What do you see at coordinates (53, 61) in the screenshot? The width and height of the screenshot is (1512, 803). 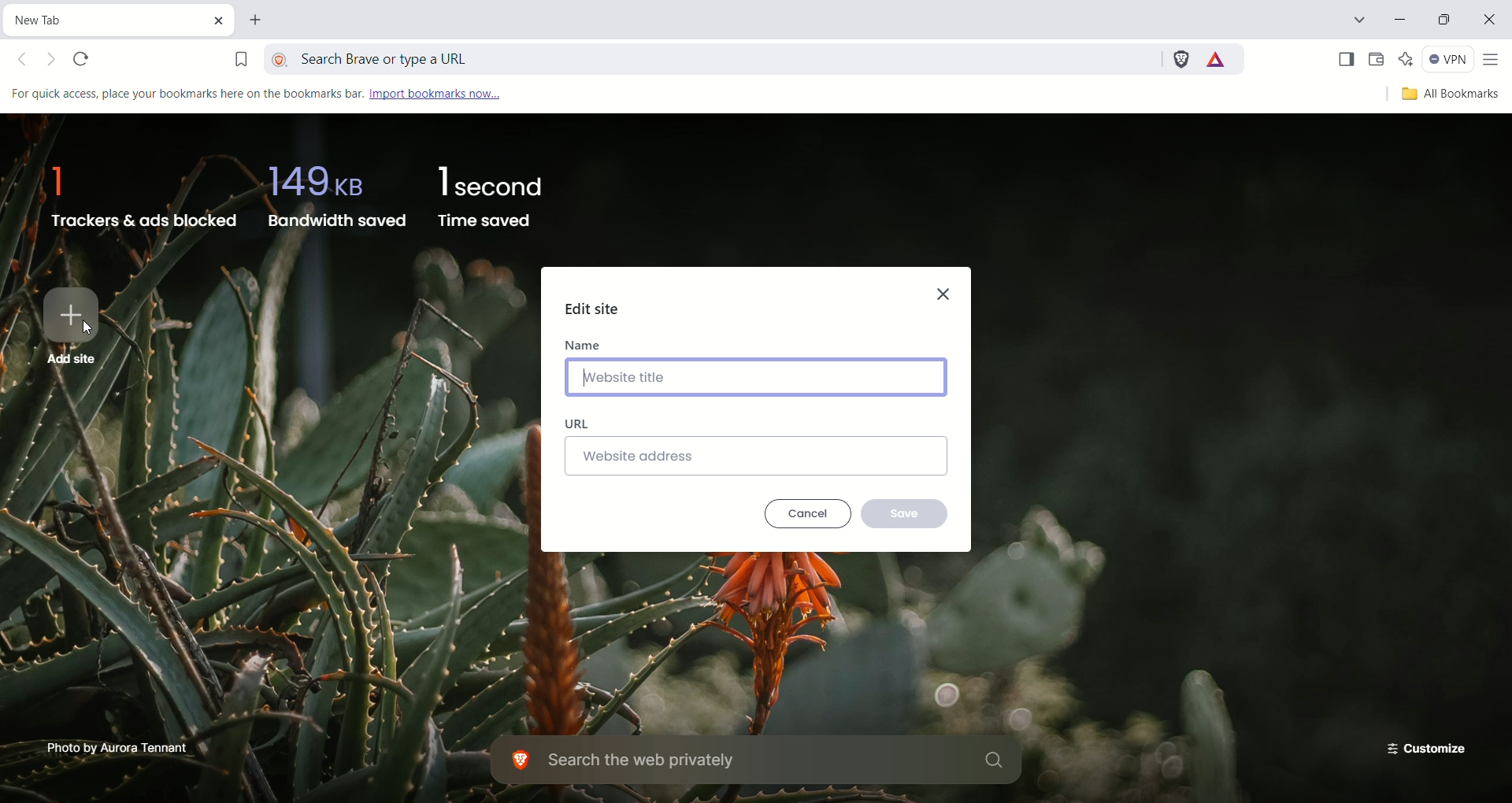 I see `Click to go forward, hold to see history` at bounding box center [53, 61].